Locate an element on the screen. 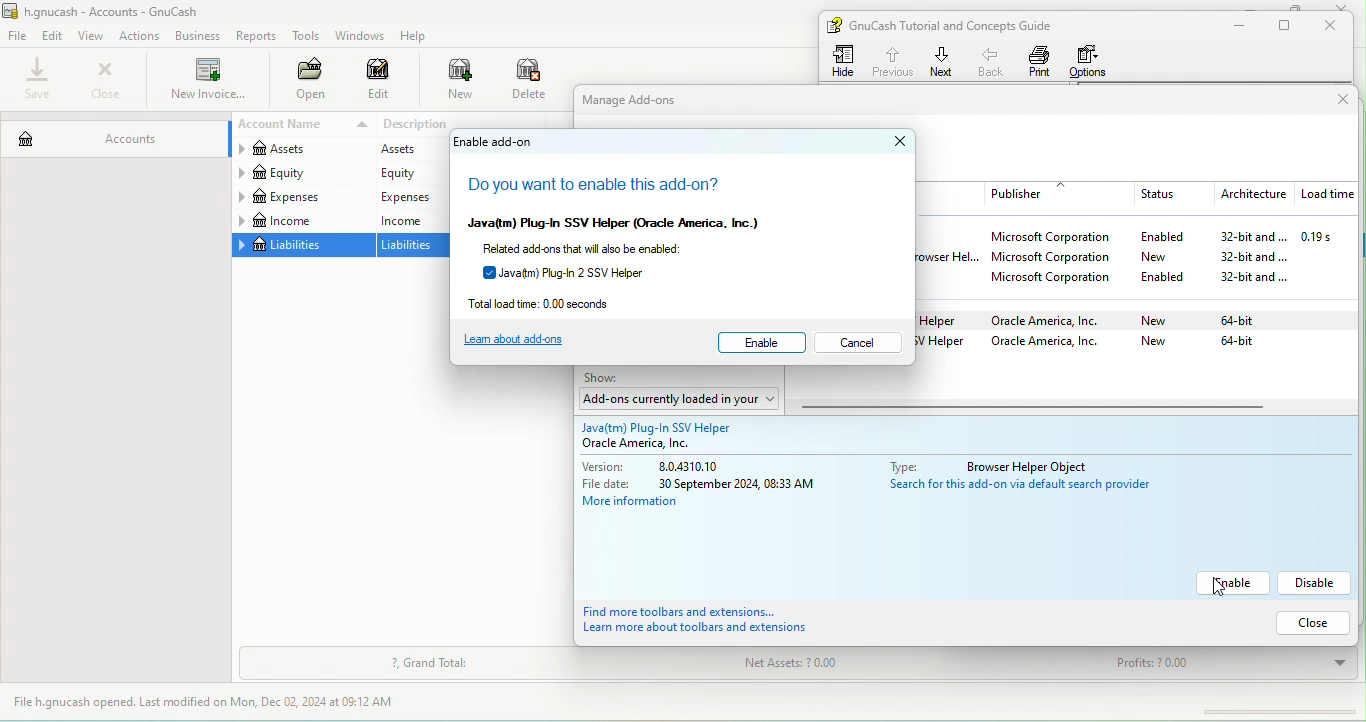  actions is located at coordinates (143, 36).